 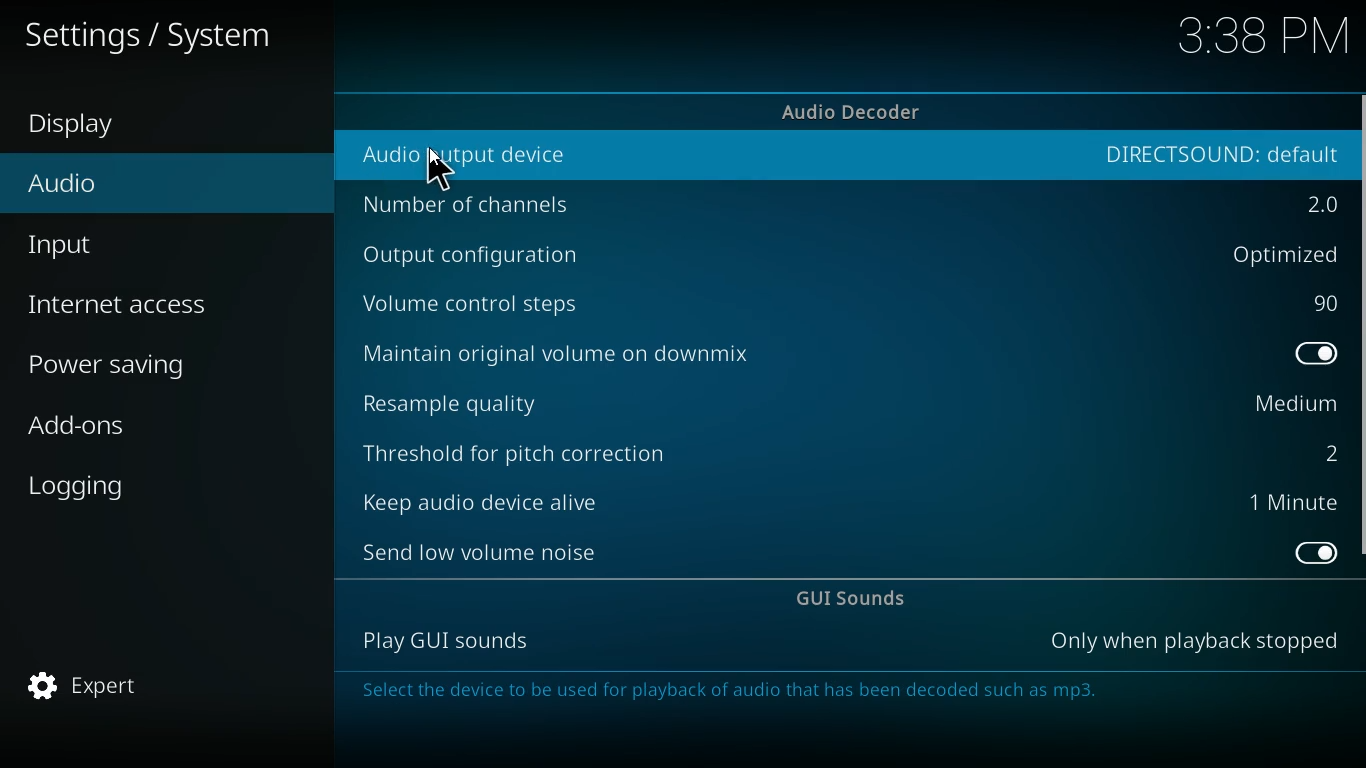 I want to click on power saving, so click(x=150, y=364).